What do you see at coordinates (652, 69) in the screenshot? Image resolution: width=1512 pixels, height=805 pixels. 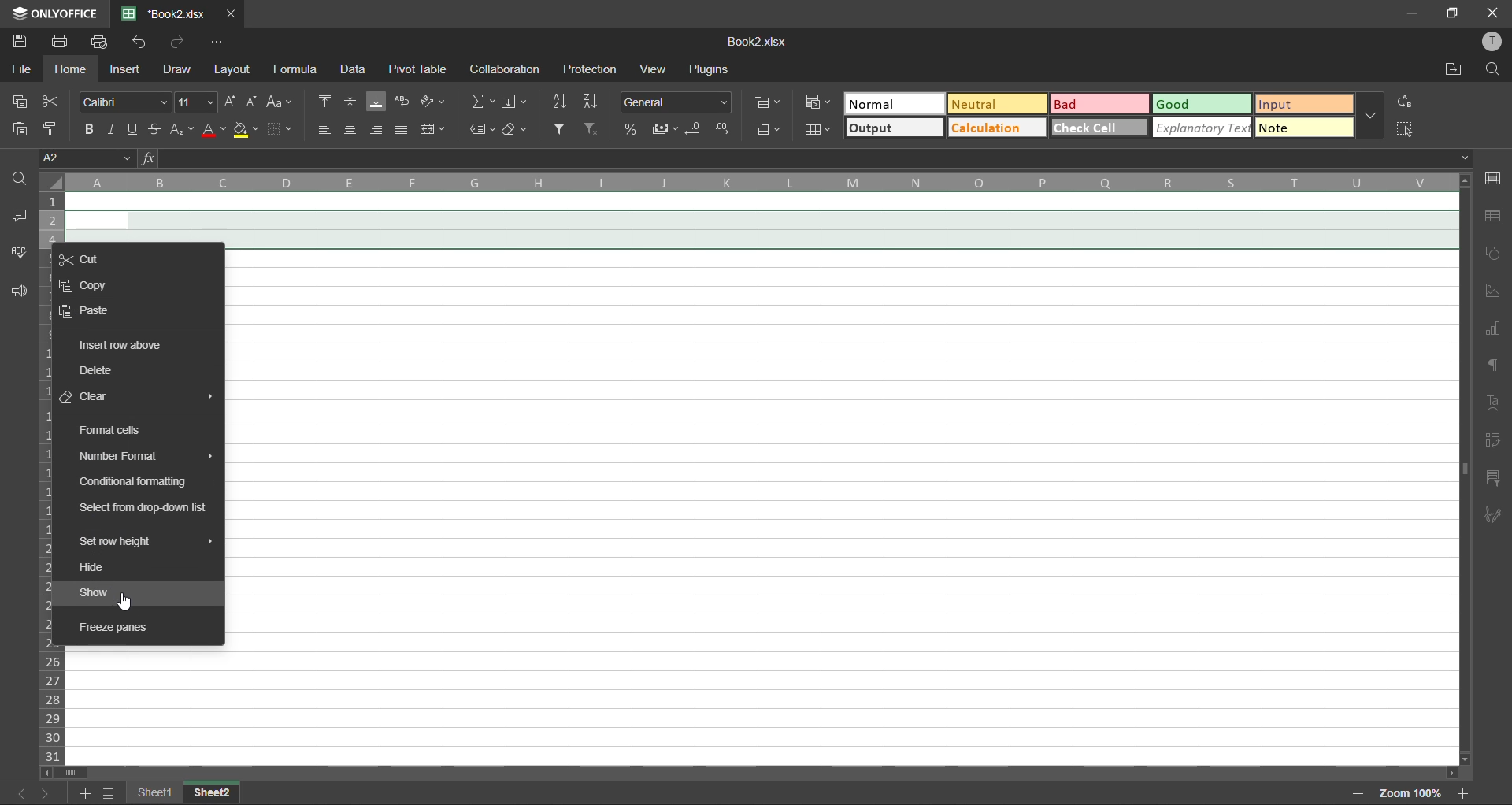 I see `view` at bounding box center [652, 69].